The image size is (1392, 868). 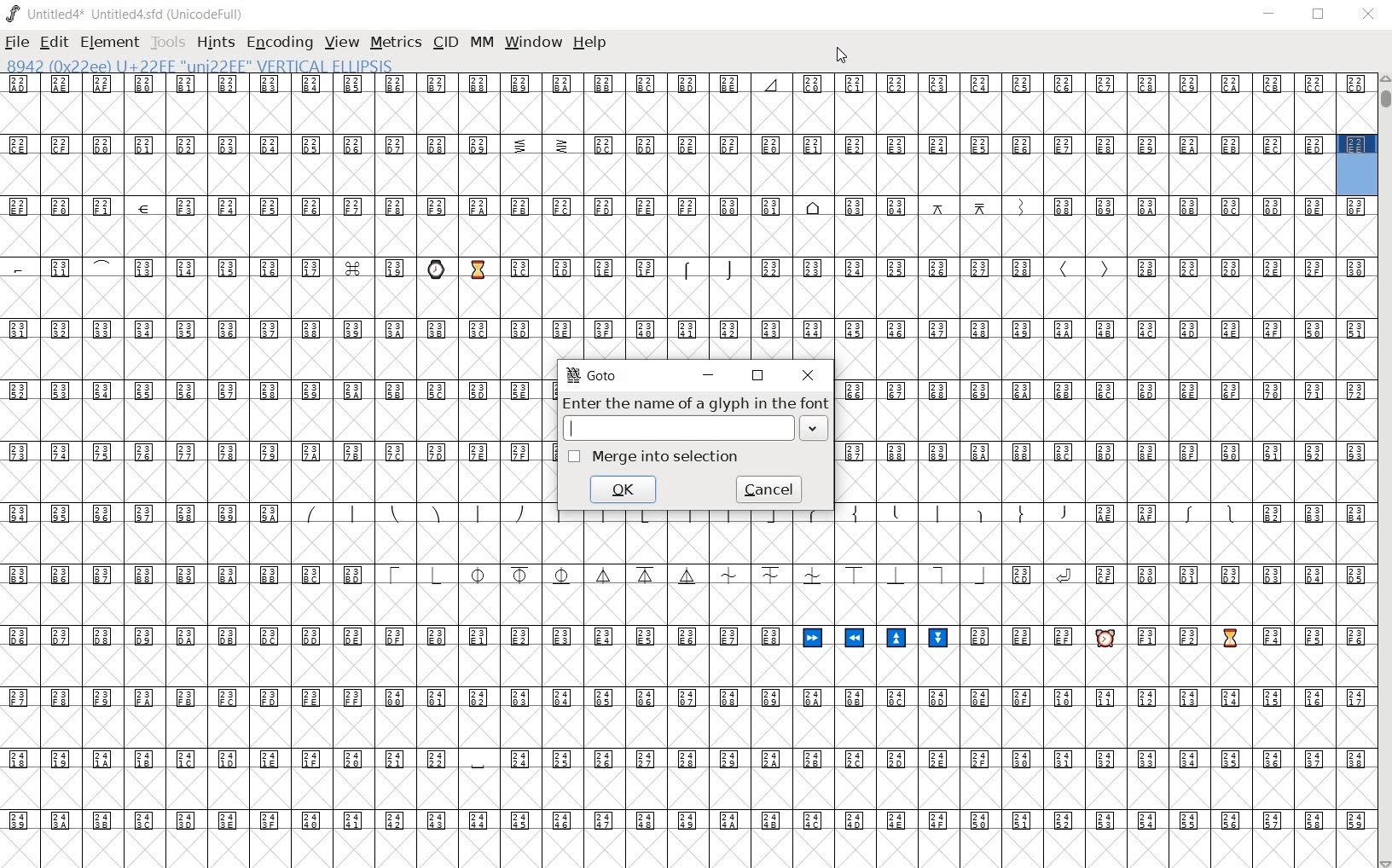 What do you see at coordinates (444, 42) in the screenshot?
I see `CID` at bounding box center [444, 42].